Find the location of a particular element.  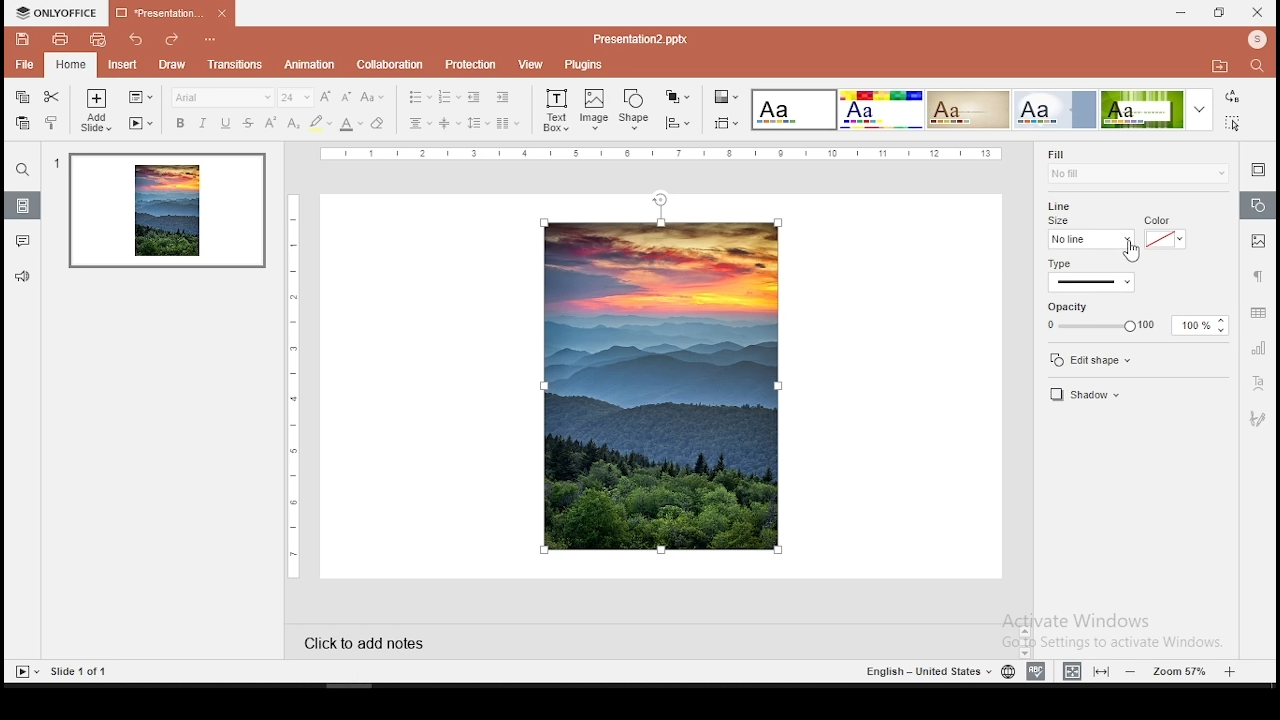

chart settings is located at coordinates (1257, 352).